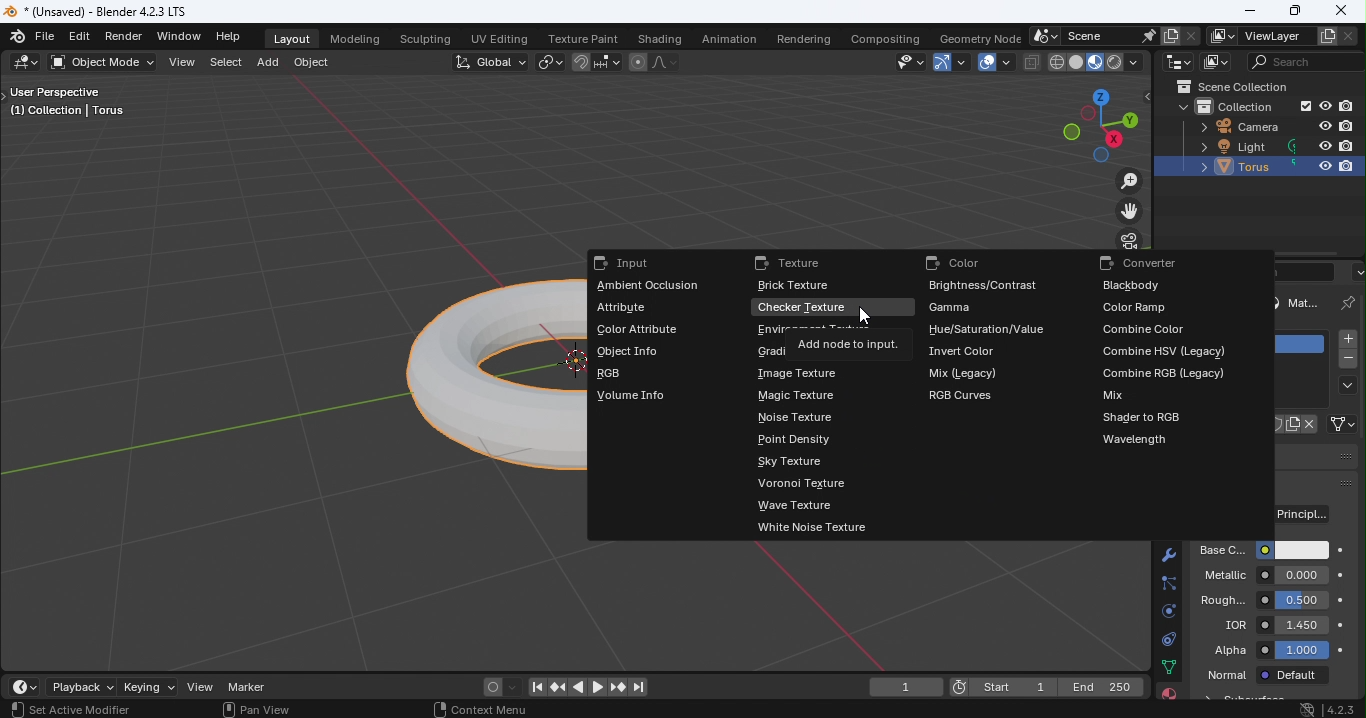  Describe the element at coordinates (1168, 637) in the screenshot. I see `Constraints` at that location.